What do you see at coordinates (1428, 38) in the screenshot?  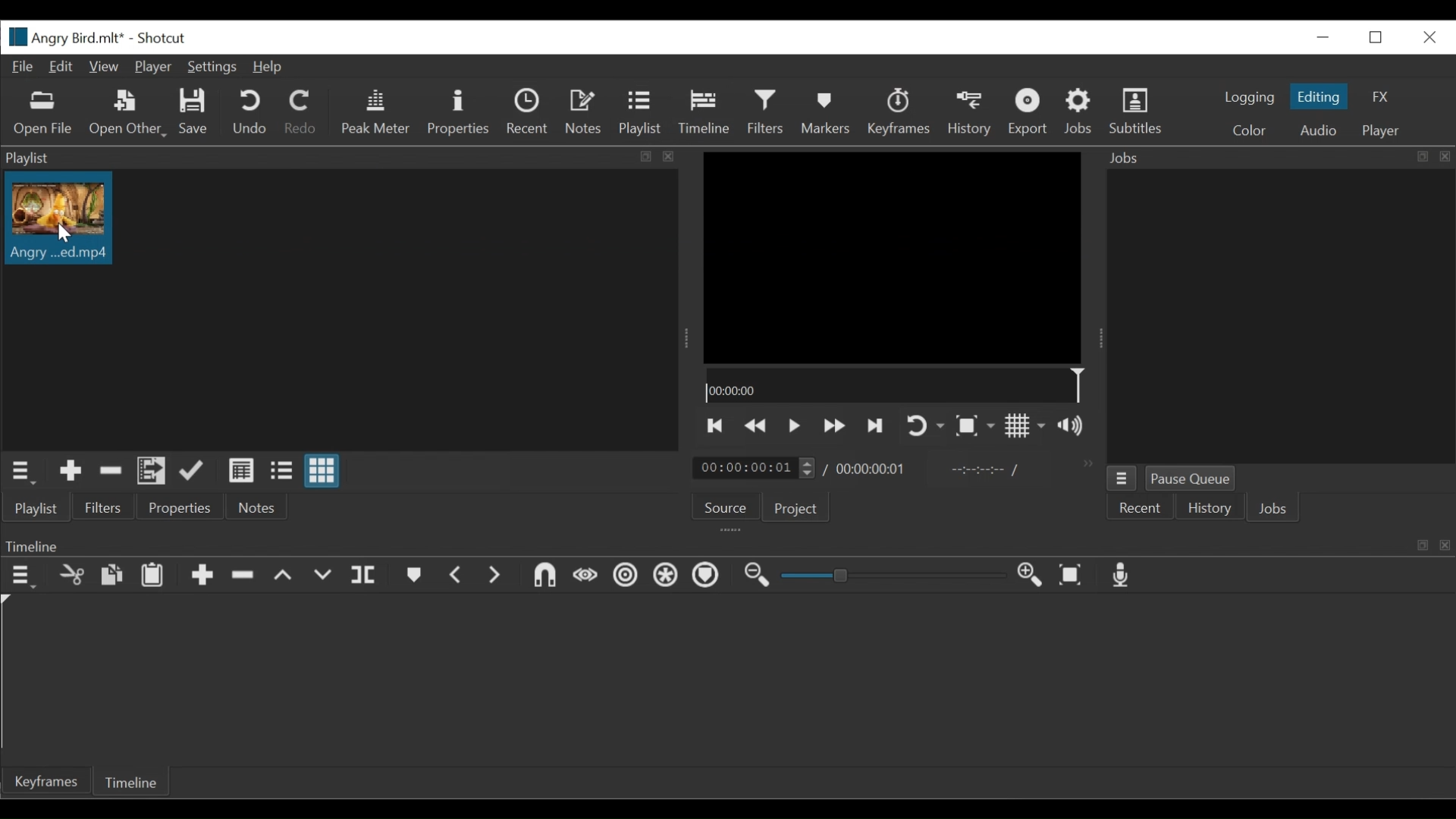 I see `Close` at bounding box center [1428, 38].